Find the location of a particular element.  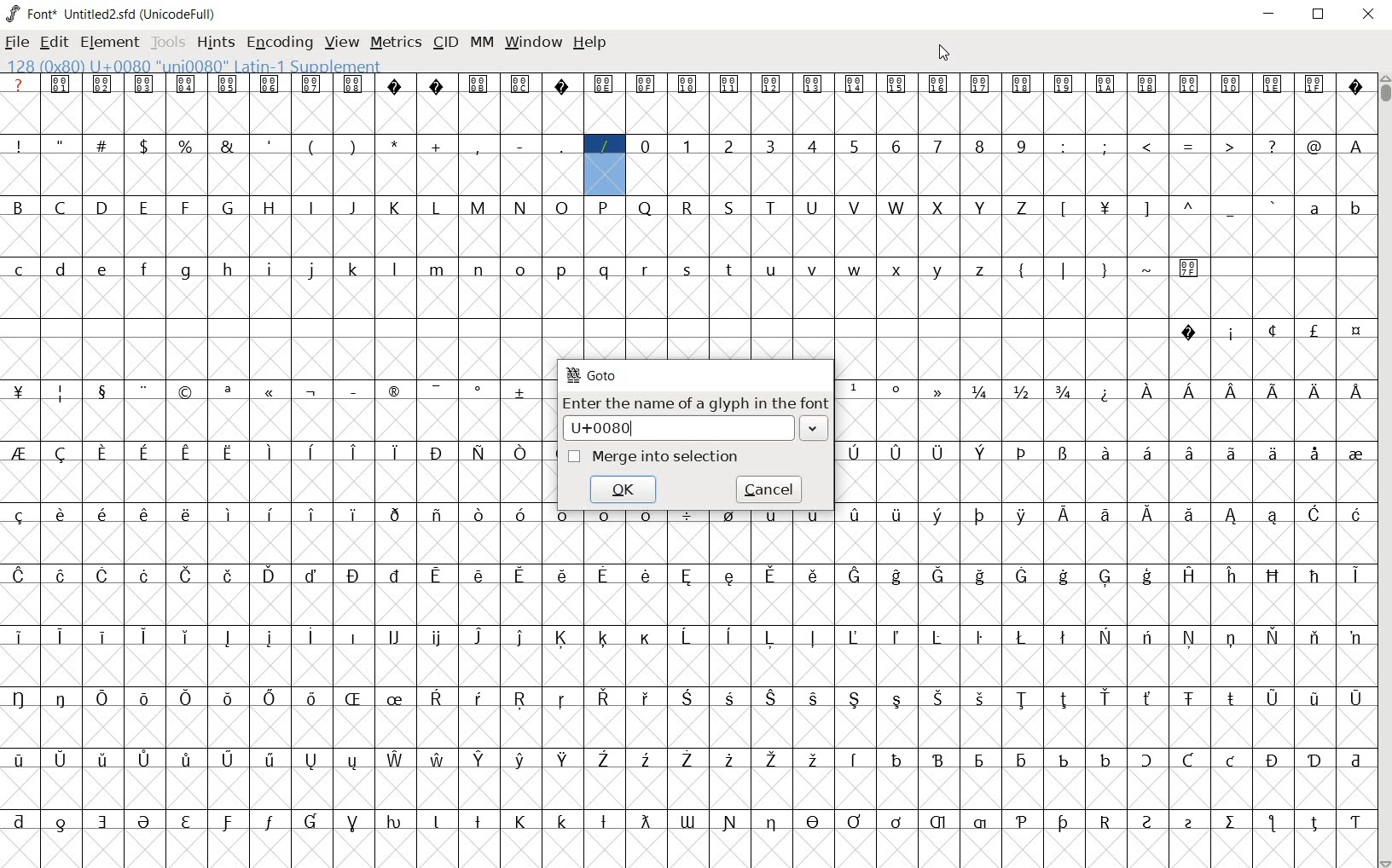

glyph is located at coordinates (647, 639).